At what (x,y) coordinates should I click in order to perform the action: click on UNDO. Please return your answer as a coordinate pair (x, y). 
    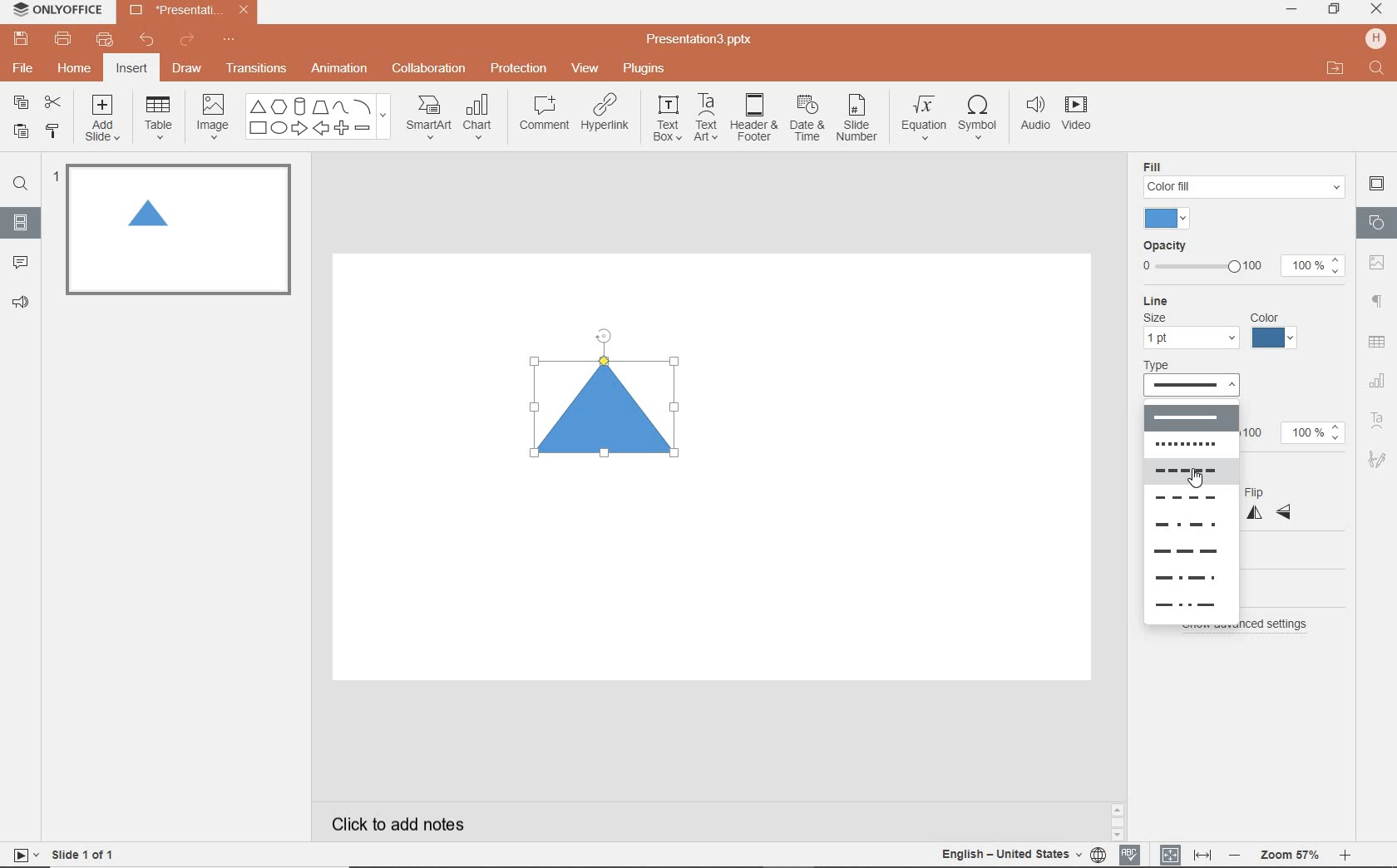
    Looking at the image, I should click on (148, 41).